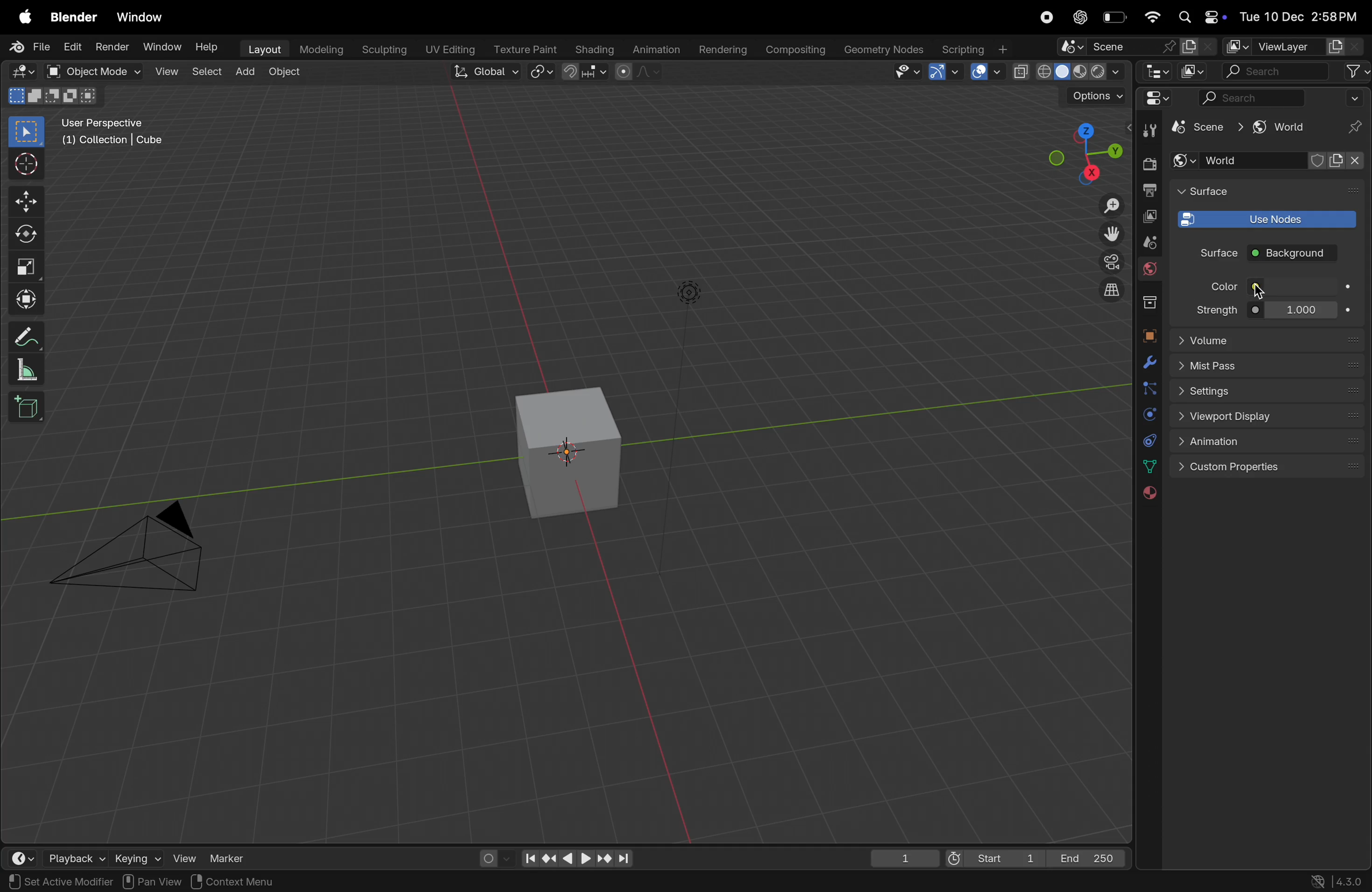  What do you see at coordinates (944, 73) in the screenshot?
I see `Show Gimzo` at bounding box center [944, 73].